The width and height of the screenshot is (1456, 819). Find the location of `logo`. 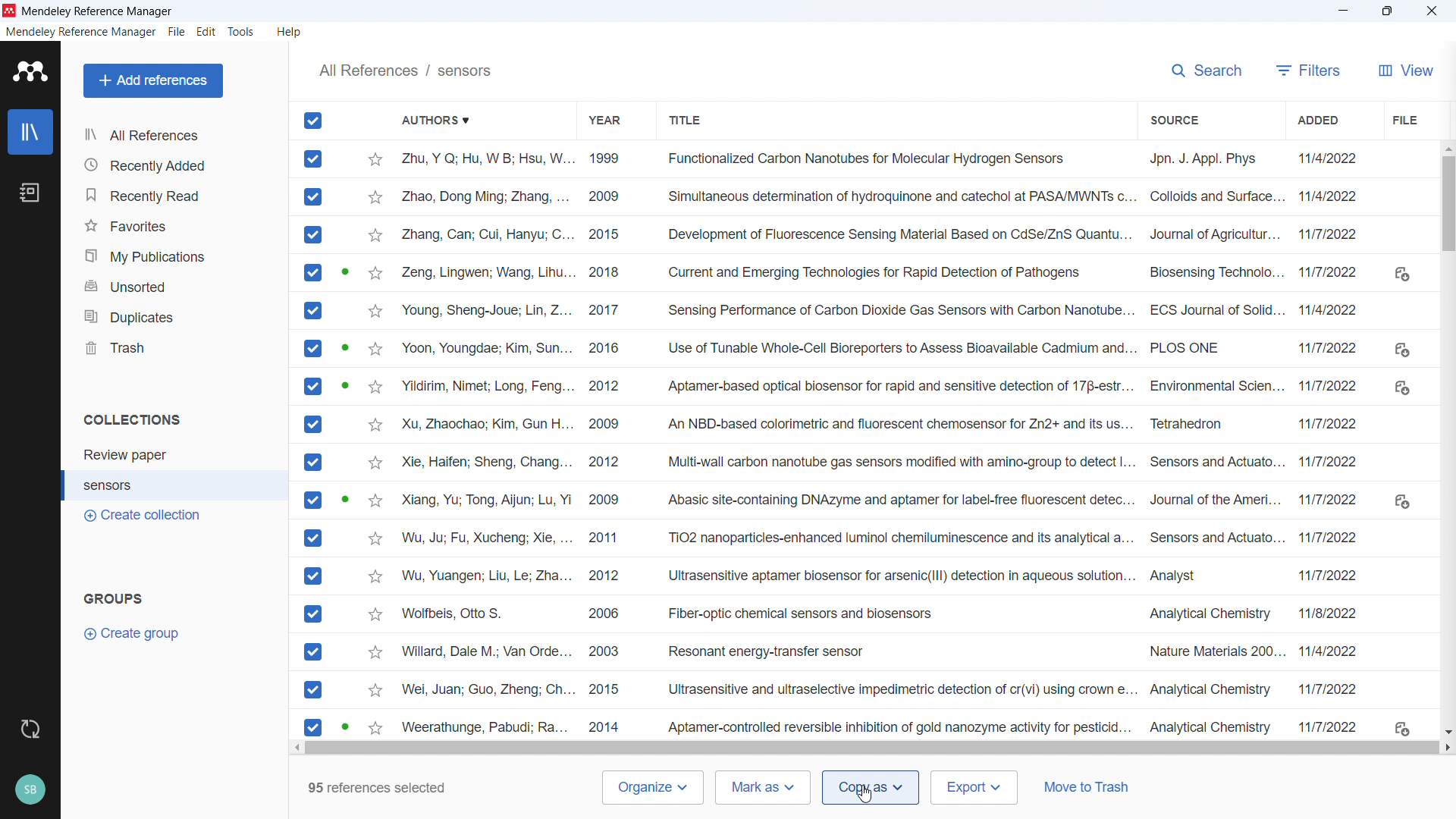

logo is located at coordinates (31, 71).